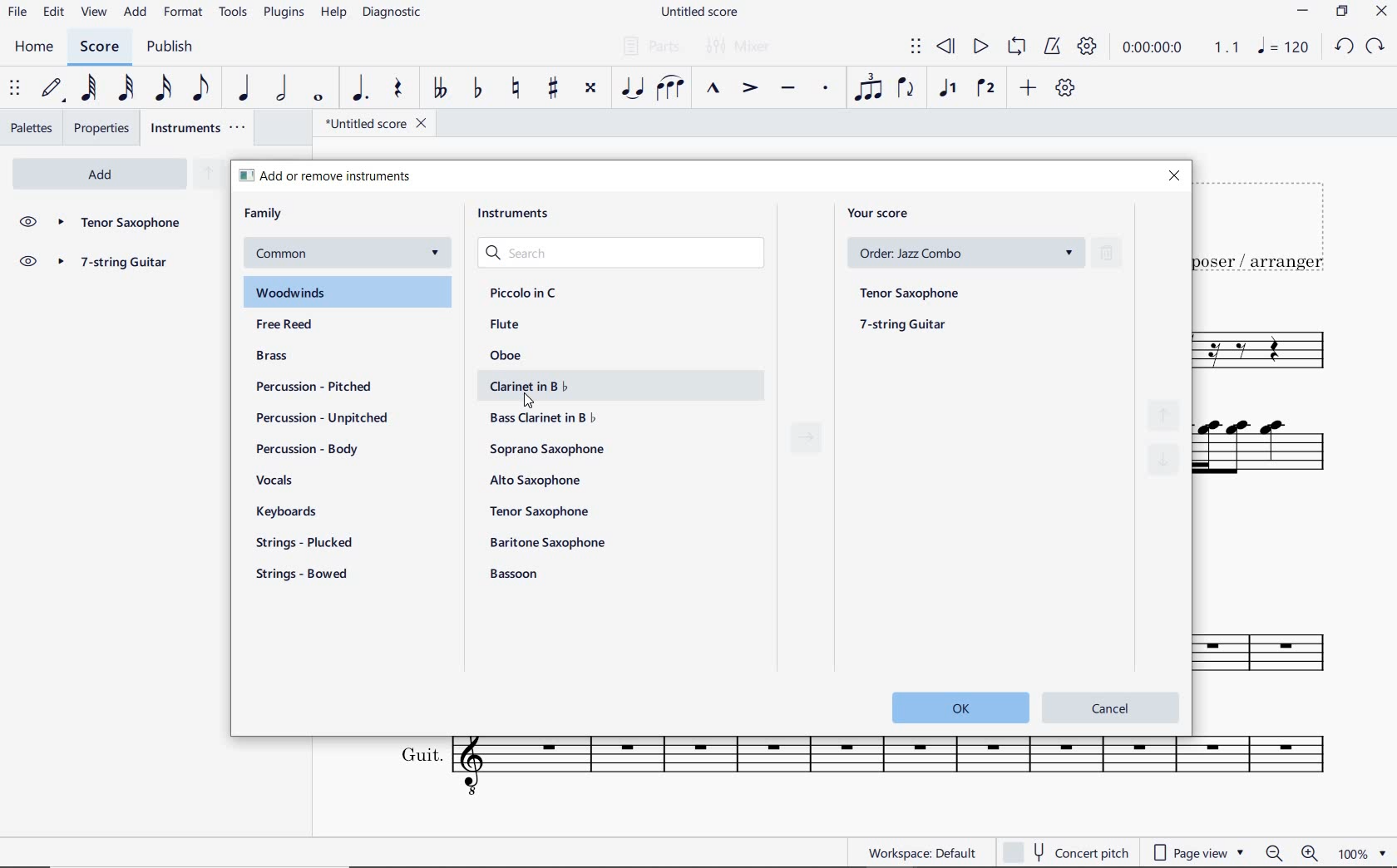 The width and height of the screenshot is (1397, 868). Describe the element at coordinates (97, 47) in the screenshot. I see `SCORE` at that location.